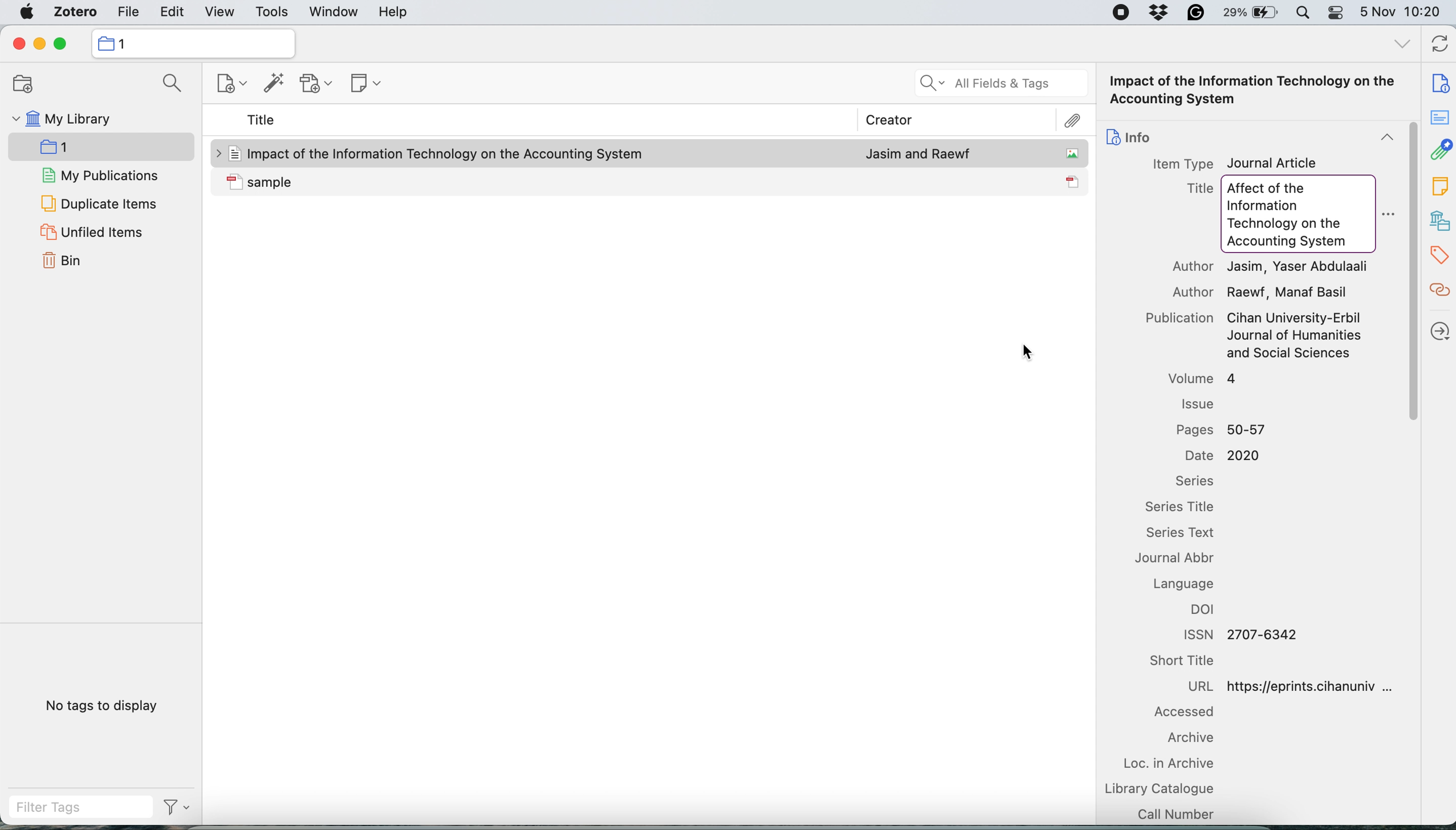 This screenshot has height=830, width=1456. I want to click on Cihan University-Erbil Journal of Humanities and Social Sciences, so click(1296, 336).